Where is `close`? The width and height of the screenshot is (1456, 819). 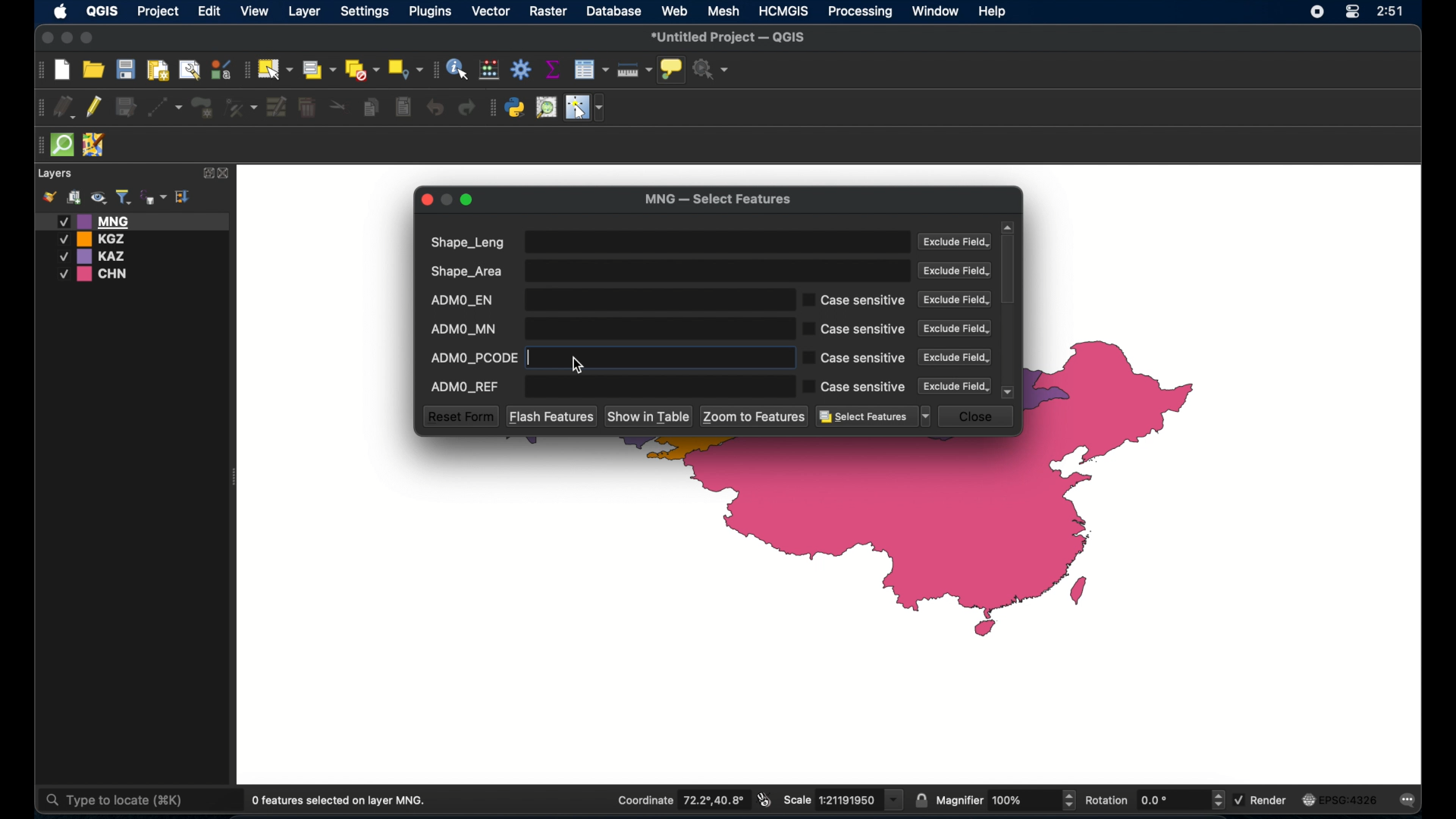 close is located at coordinates (427, 199).